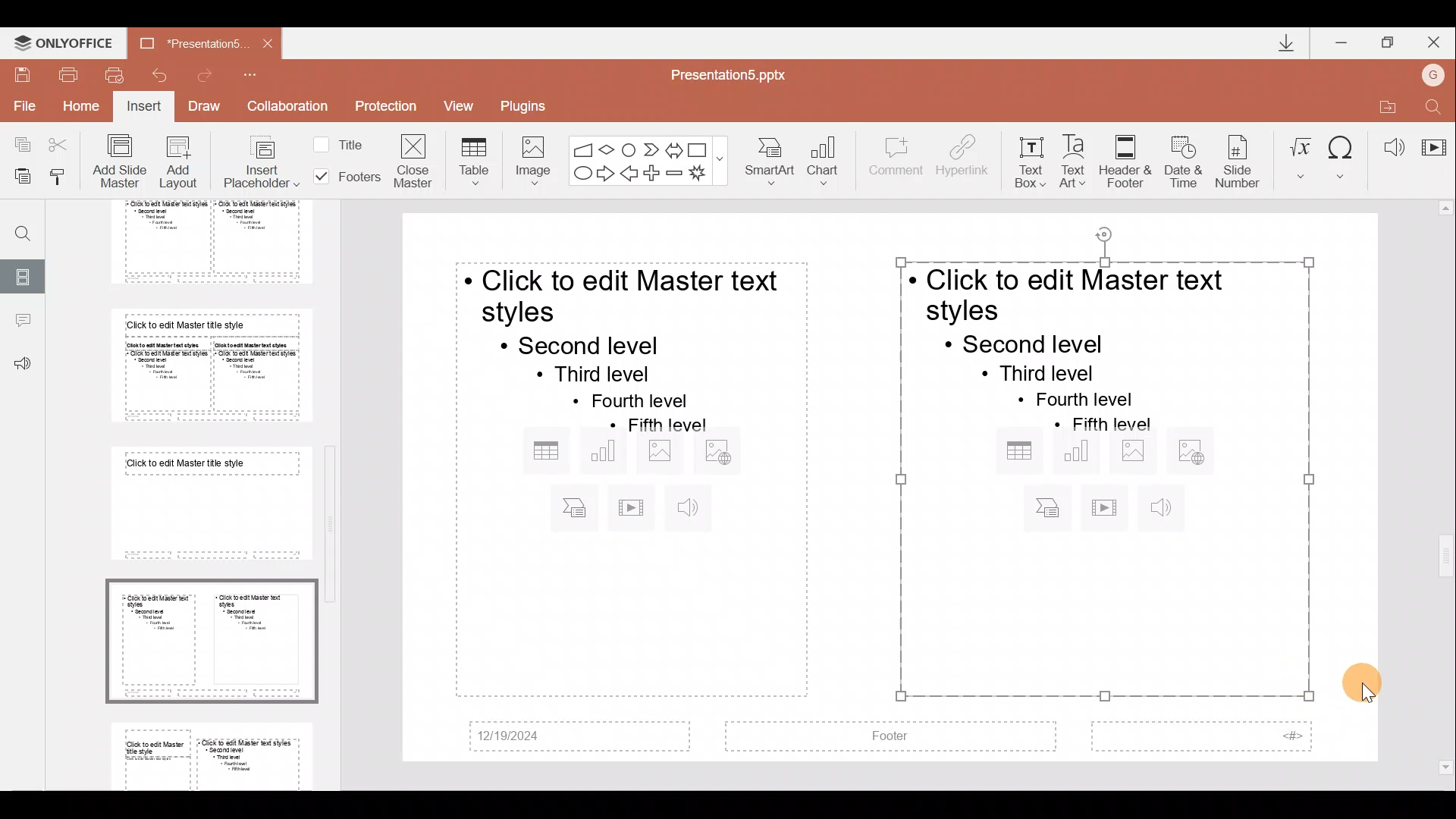 The image size is (1456, 819). I want to click on Explosion 1, so click(704, 174).